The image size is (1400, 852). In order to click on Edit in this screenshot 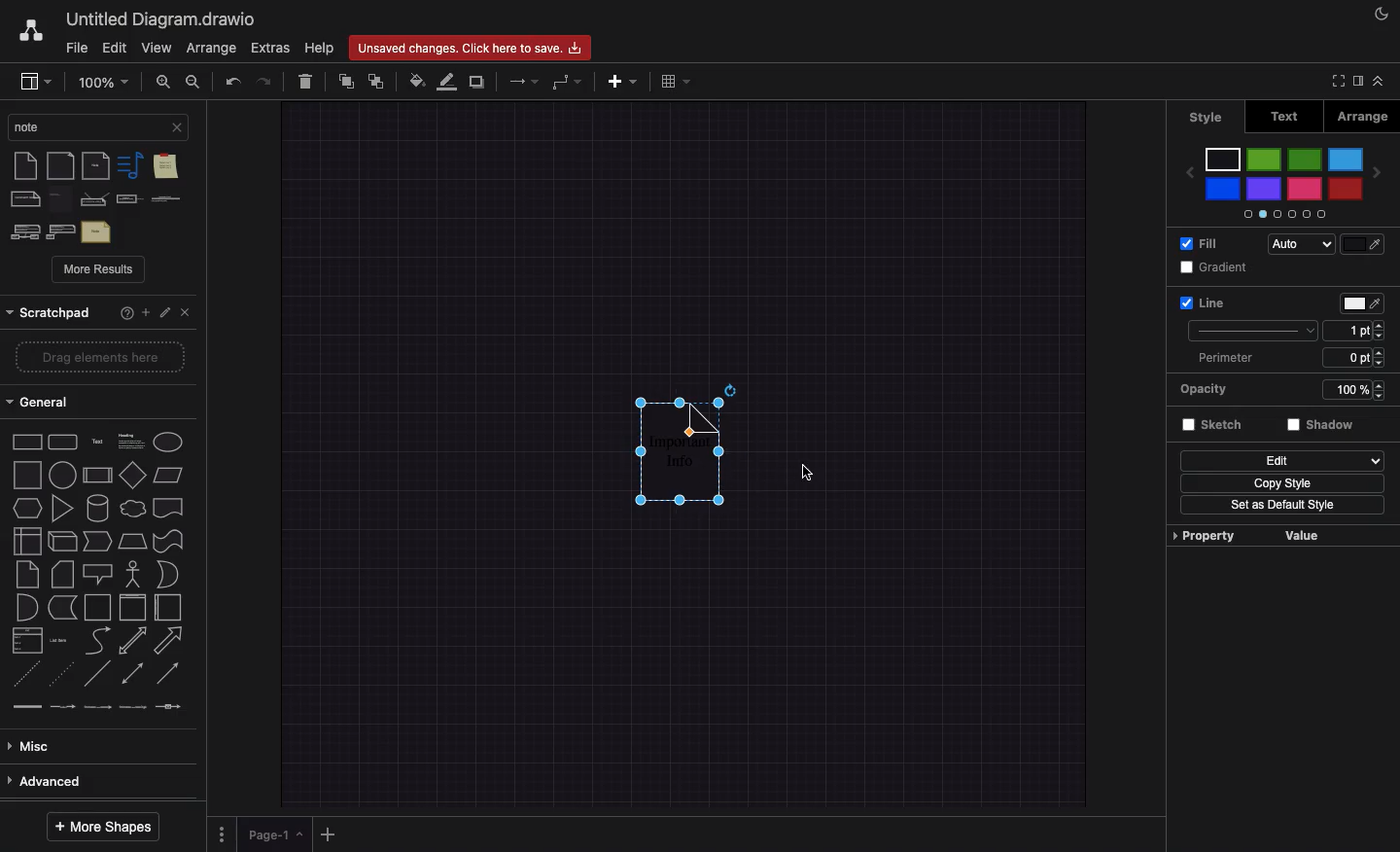, I will do `click(1281, 460)`.